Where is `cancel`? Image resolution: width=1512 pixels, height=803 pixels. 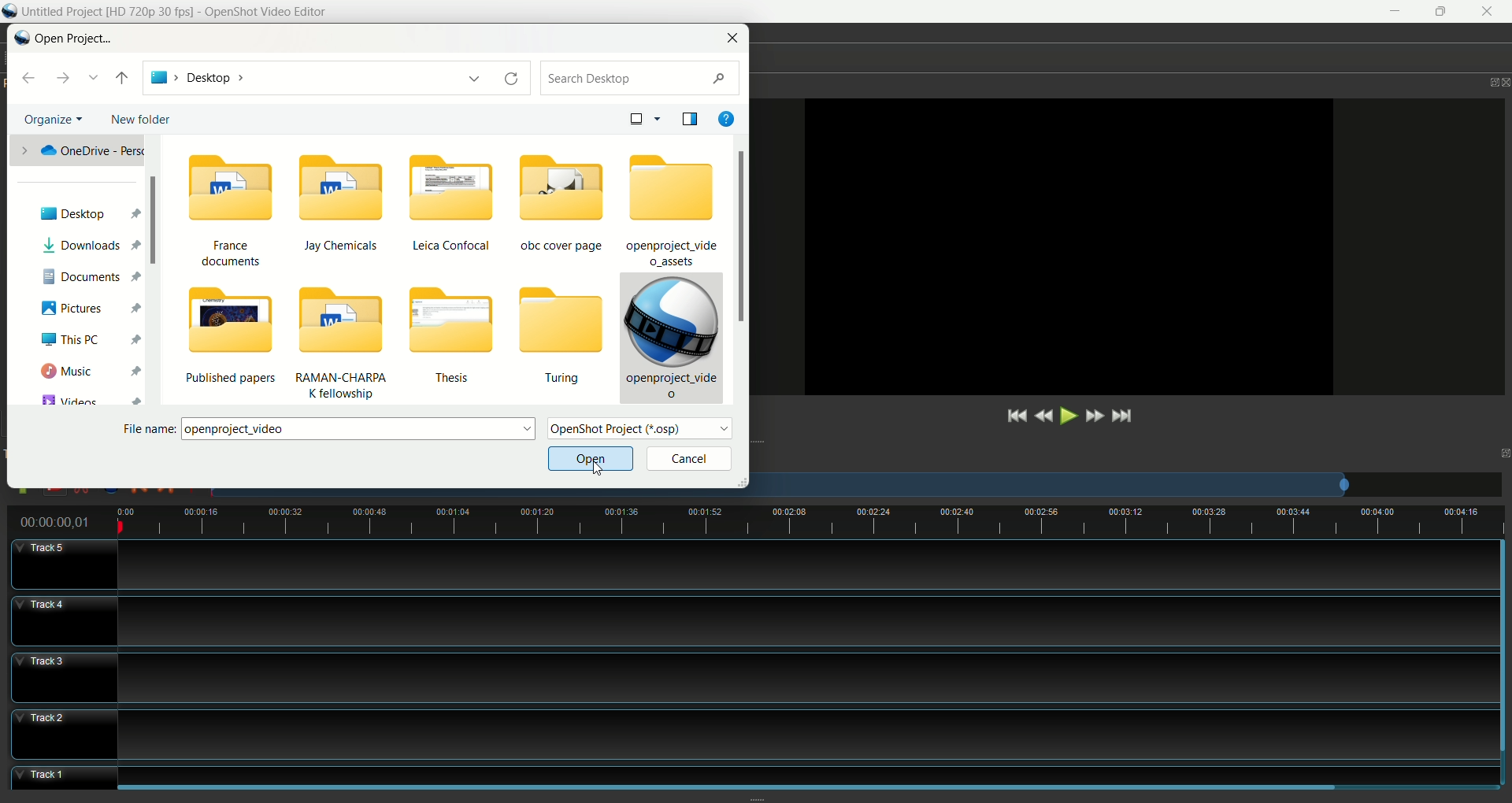 cancel is located at coordinates (688, 460).